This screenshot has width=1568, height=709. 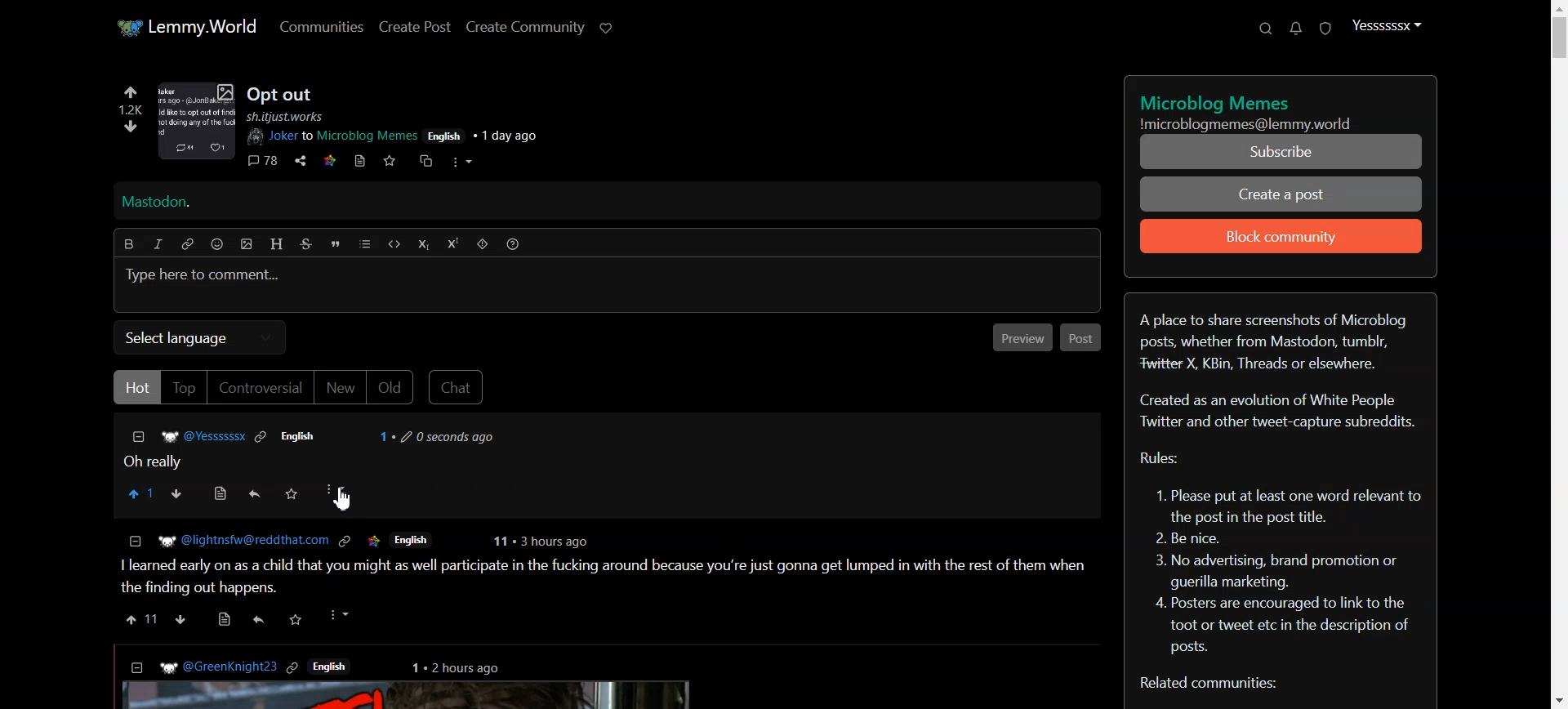 What do you see at coordinates (1295, 29) in the screenshot?
I see `Unread message` at bounding box center [1295, 29].